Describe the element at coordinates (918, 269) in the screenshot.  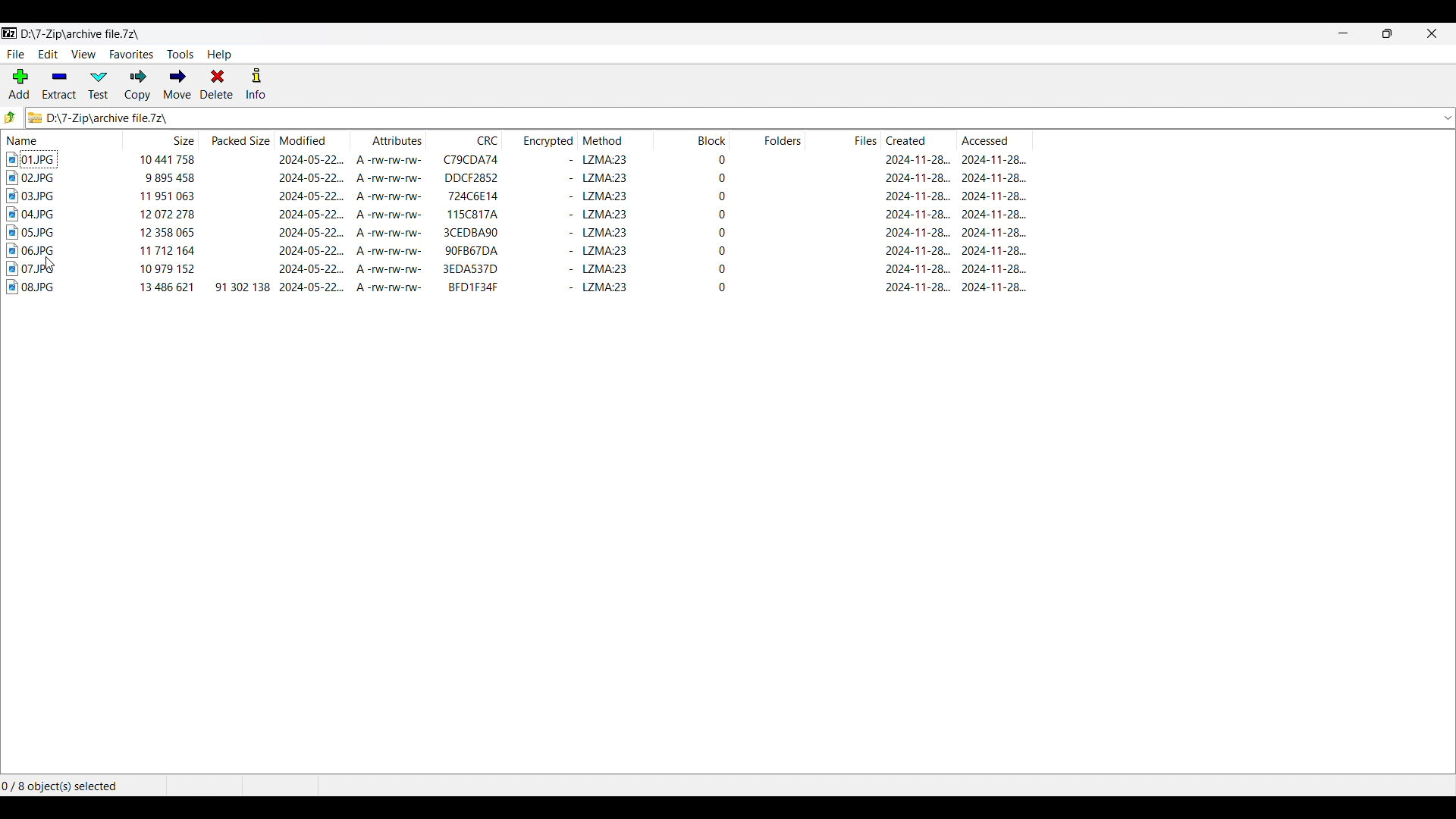
I see `create date & tiime` at that location.